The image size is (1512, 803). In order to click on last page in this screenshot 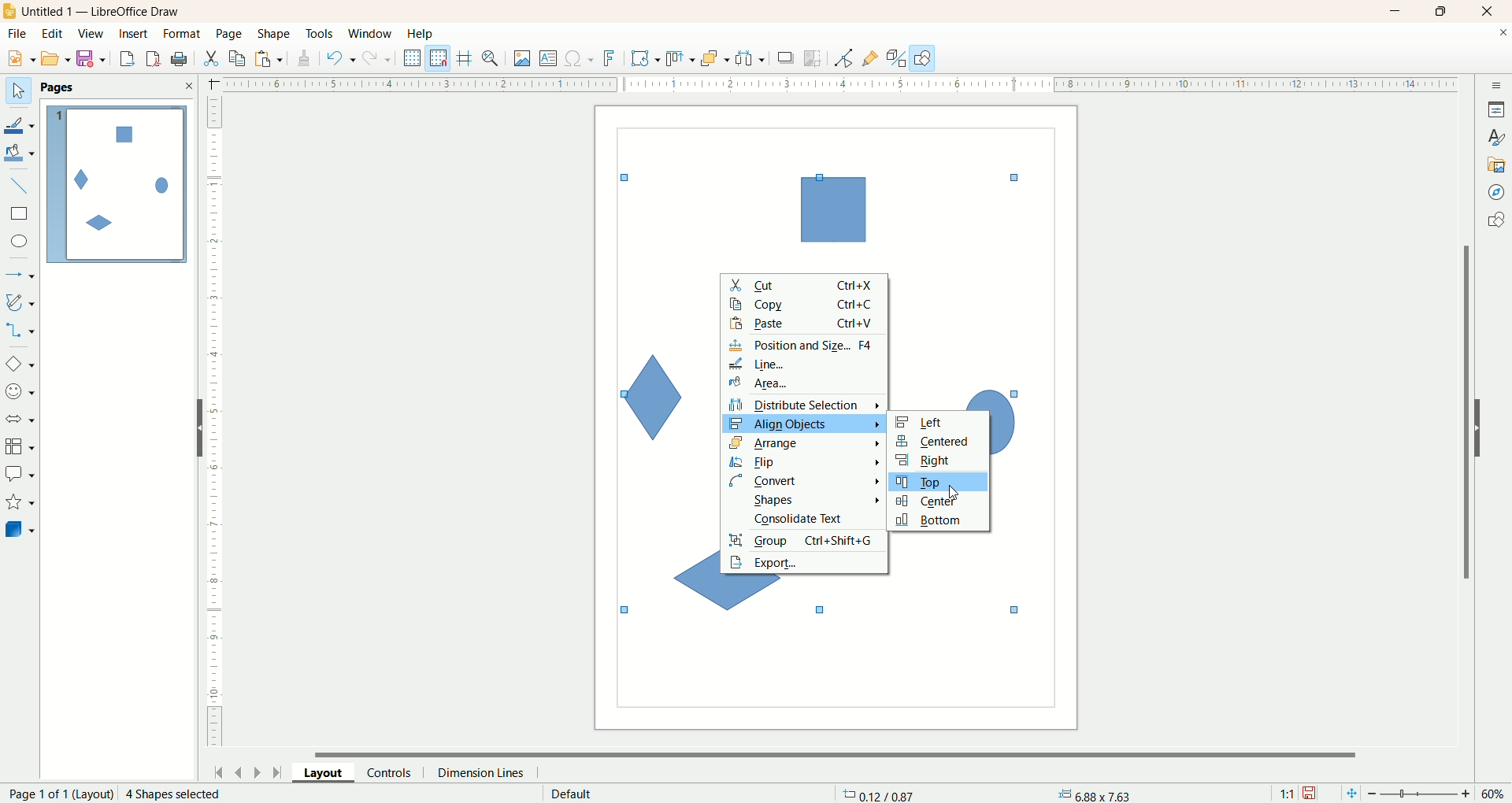, I will do `click(280, 771)`.